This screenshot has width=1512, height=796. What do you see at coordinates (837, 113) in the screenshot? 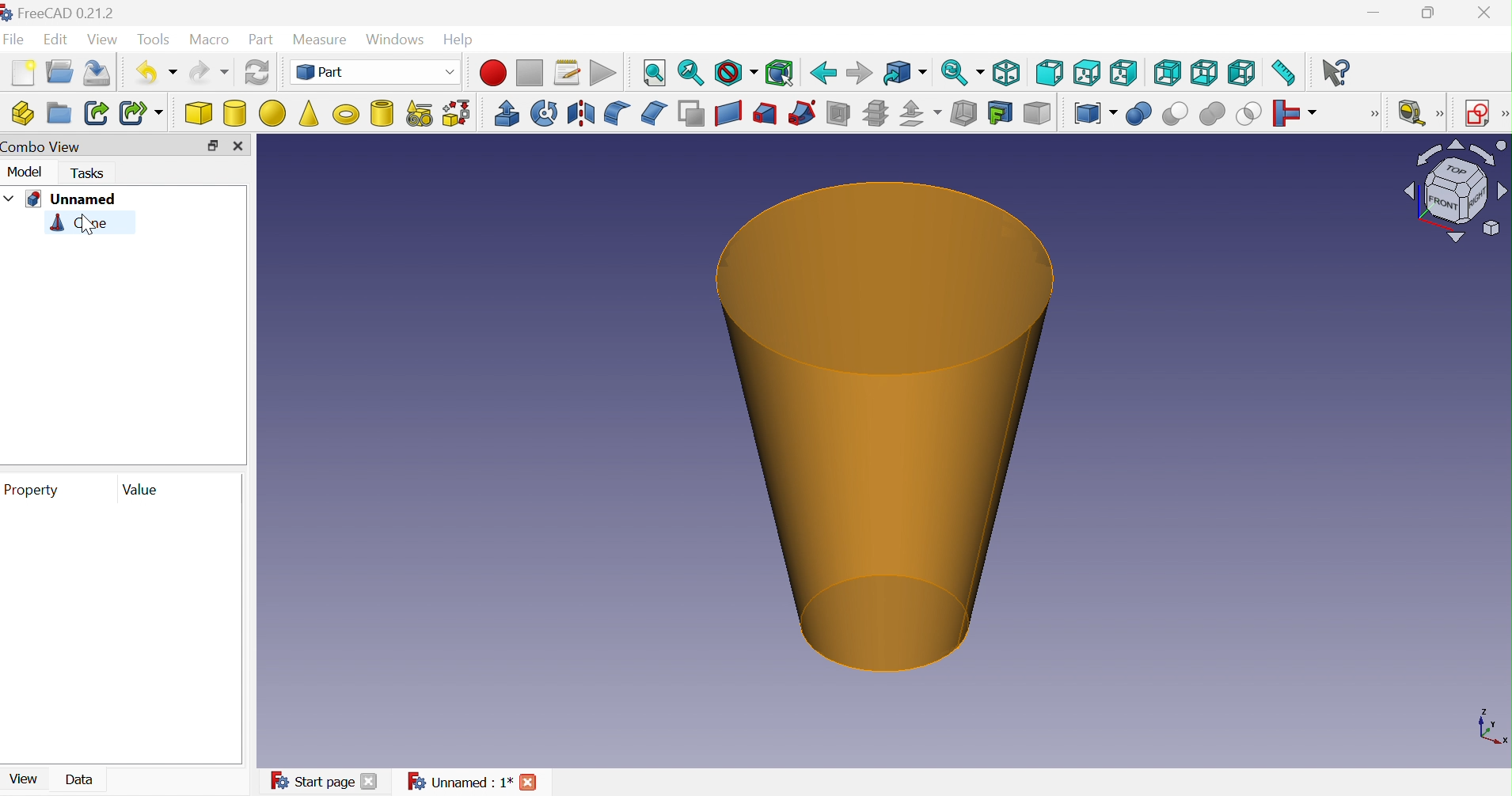
I see `Section` at bounding box center [837, 113].